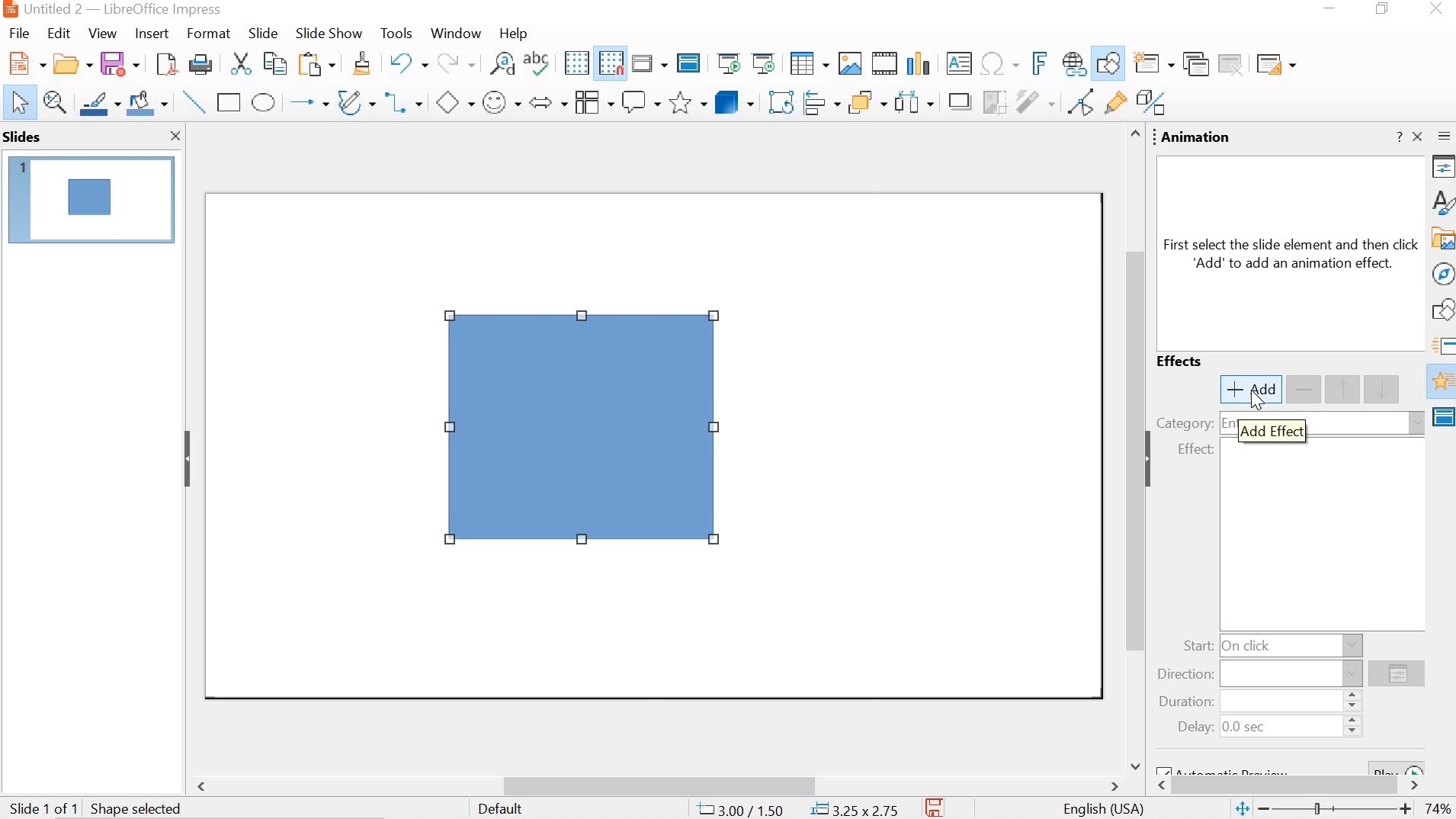 This screenshot has height=819, width=1456. What do you see at coordinates (1441, 809) in the screenshot?
I see `zoom factor` at bounding box center [1441, 809].